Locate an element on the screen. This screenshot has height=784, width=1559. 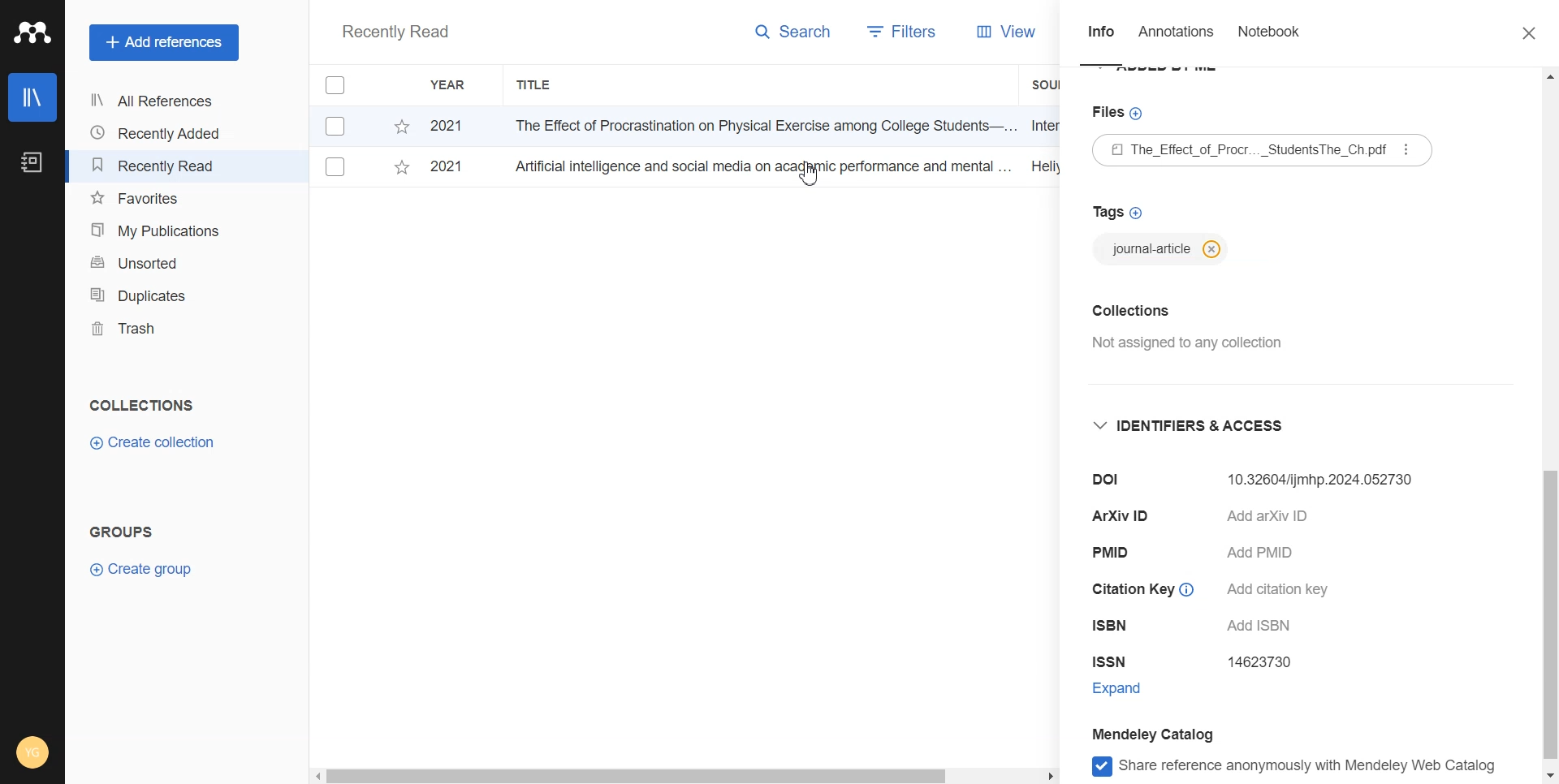
Files is located at coordinates (1121, 114).